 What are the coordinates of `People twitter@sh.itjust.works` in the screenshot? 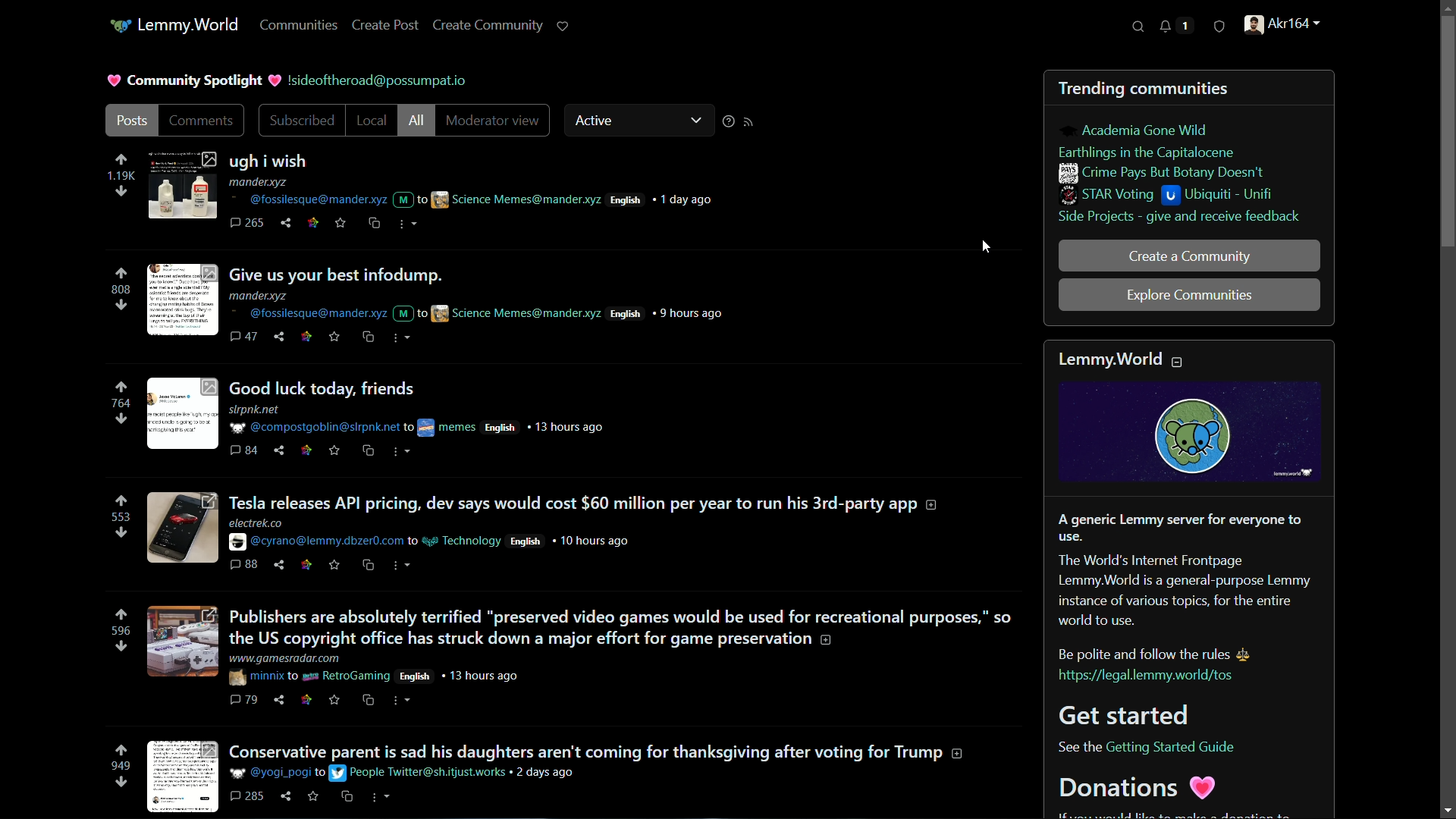 It's located at (420, 773).